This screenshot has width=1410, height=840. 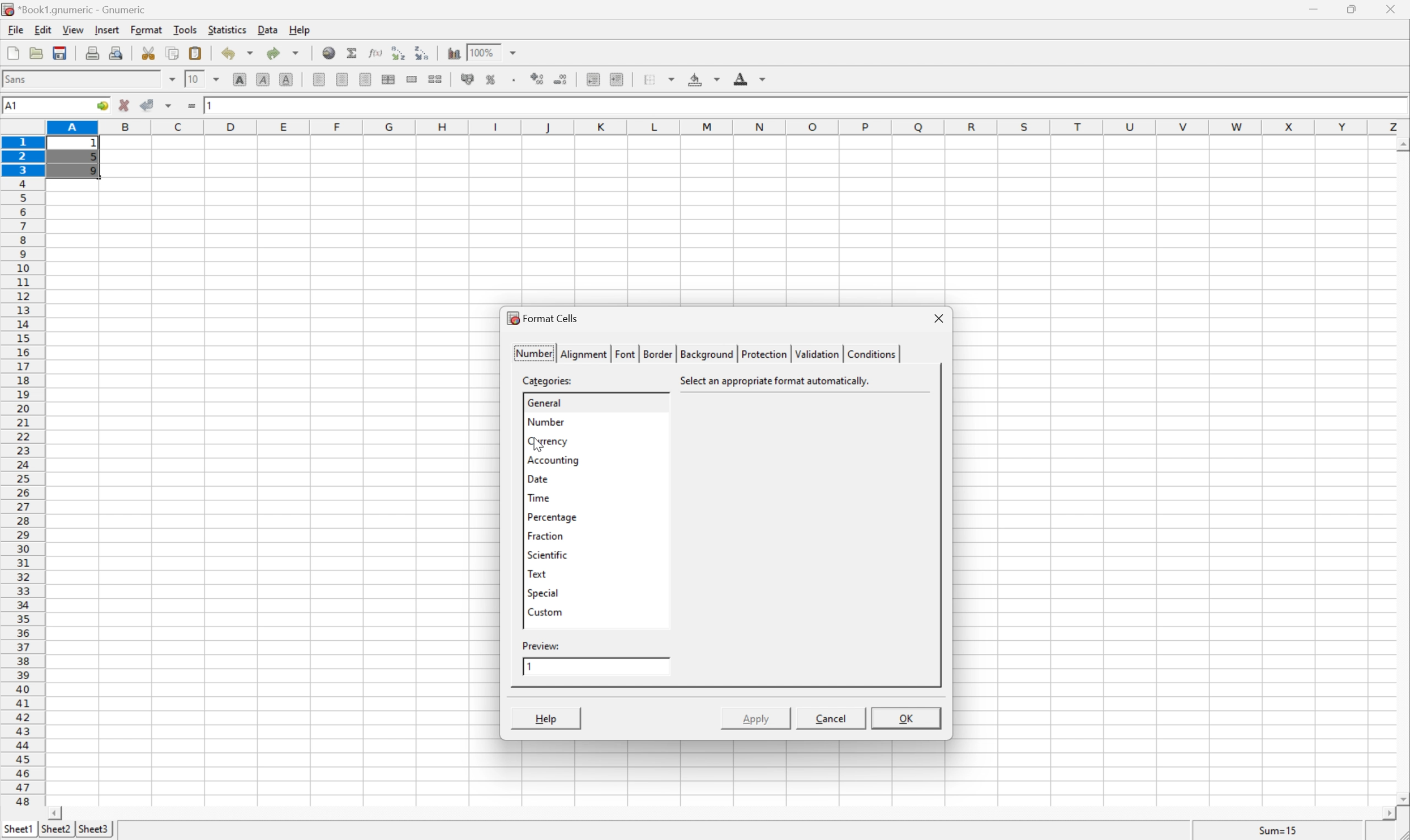 What do you see at coordinates (288, 80) in the screenshot?
I see `underline` at bounding box center [288, 80].